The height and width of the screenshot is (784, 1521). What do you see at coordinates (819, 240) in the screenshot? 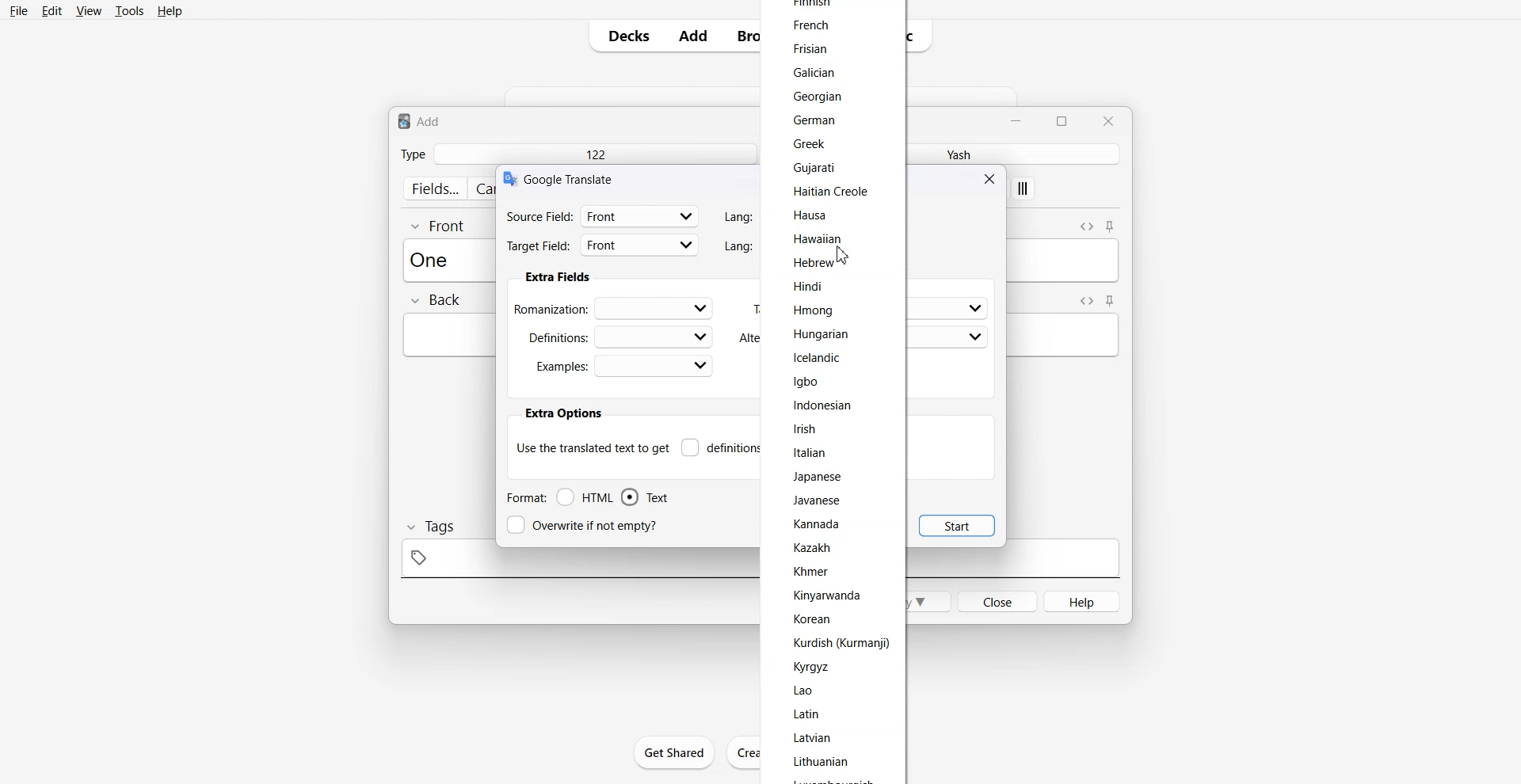
I see `Hawaiian` at bounding box center [819, 240].